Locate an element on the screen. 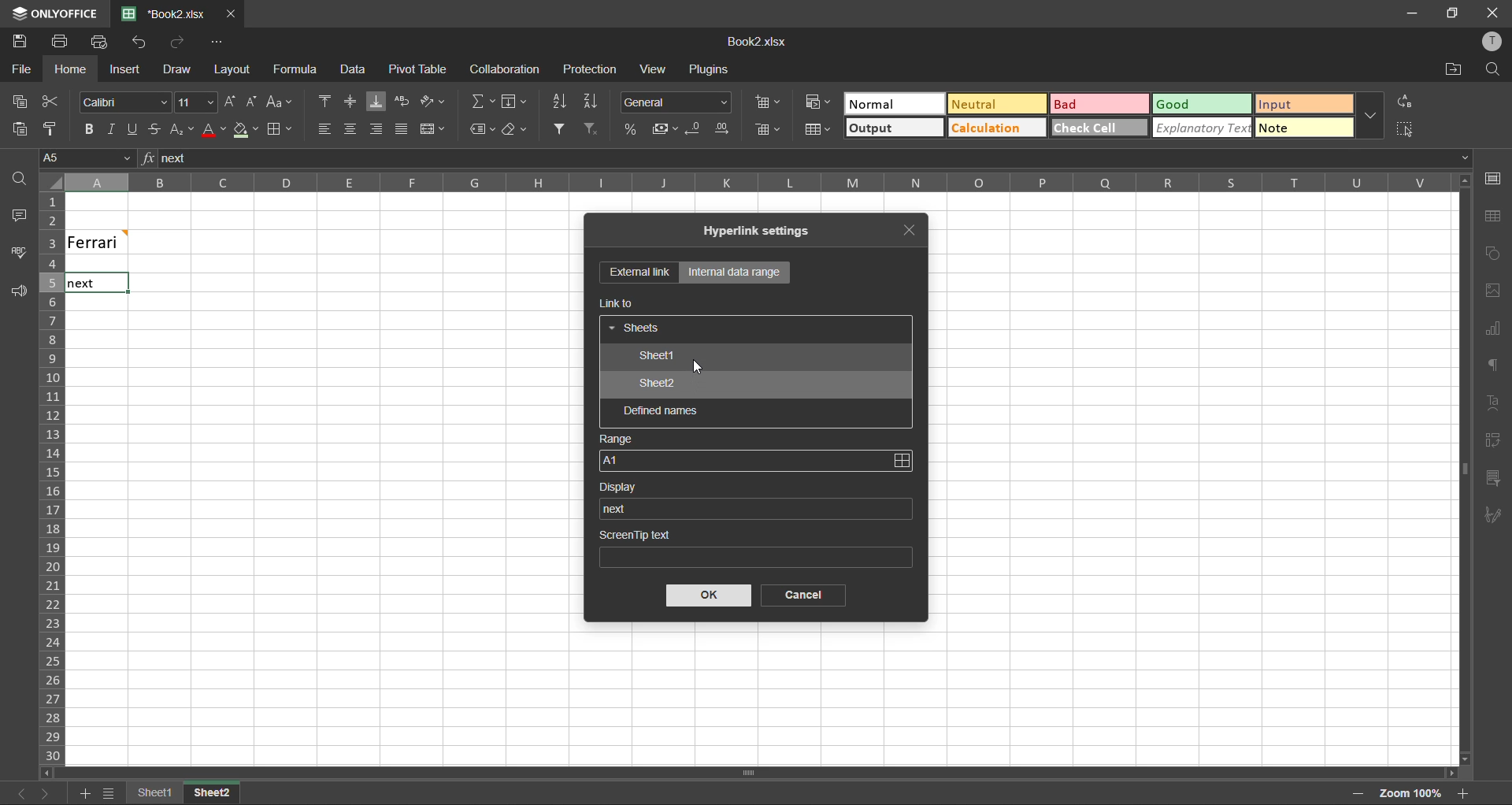 The image size is (1512, 805). sheet2 is located at coordinates (658, 385).